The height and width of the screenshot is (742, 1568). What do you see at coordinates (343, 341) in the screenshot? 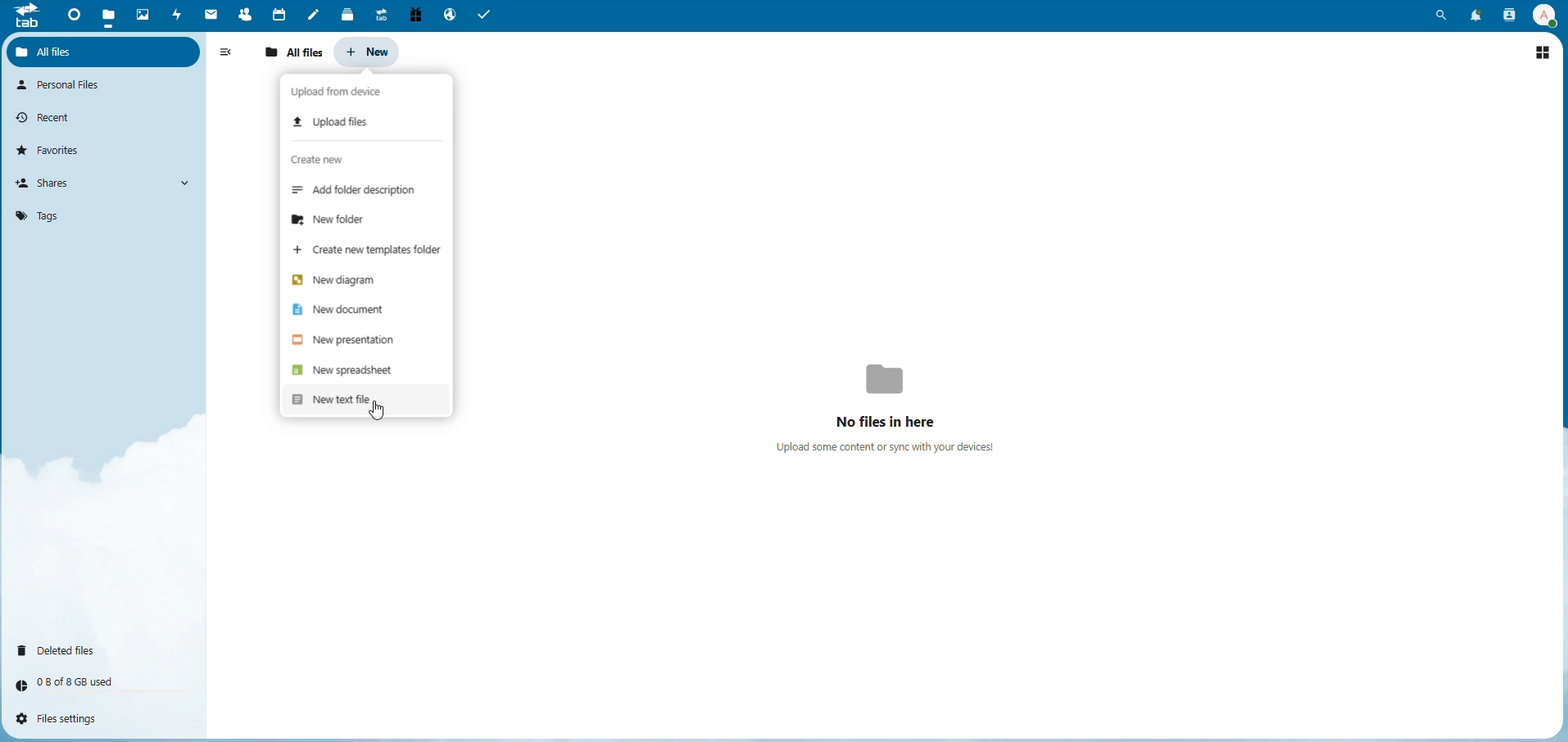
I see `presentation` at bounding box center [343, 341].